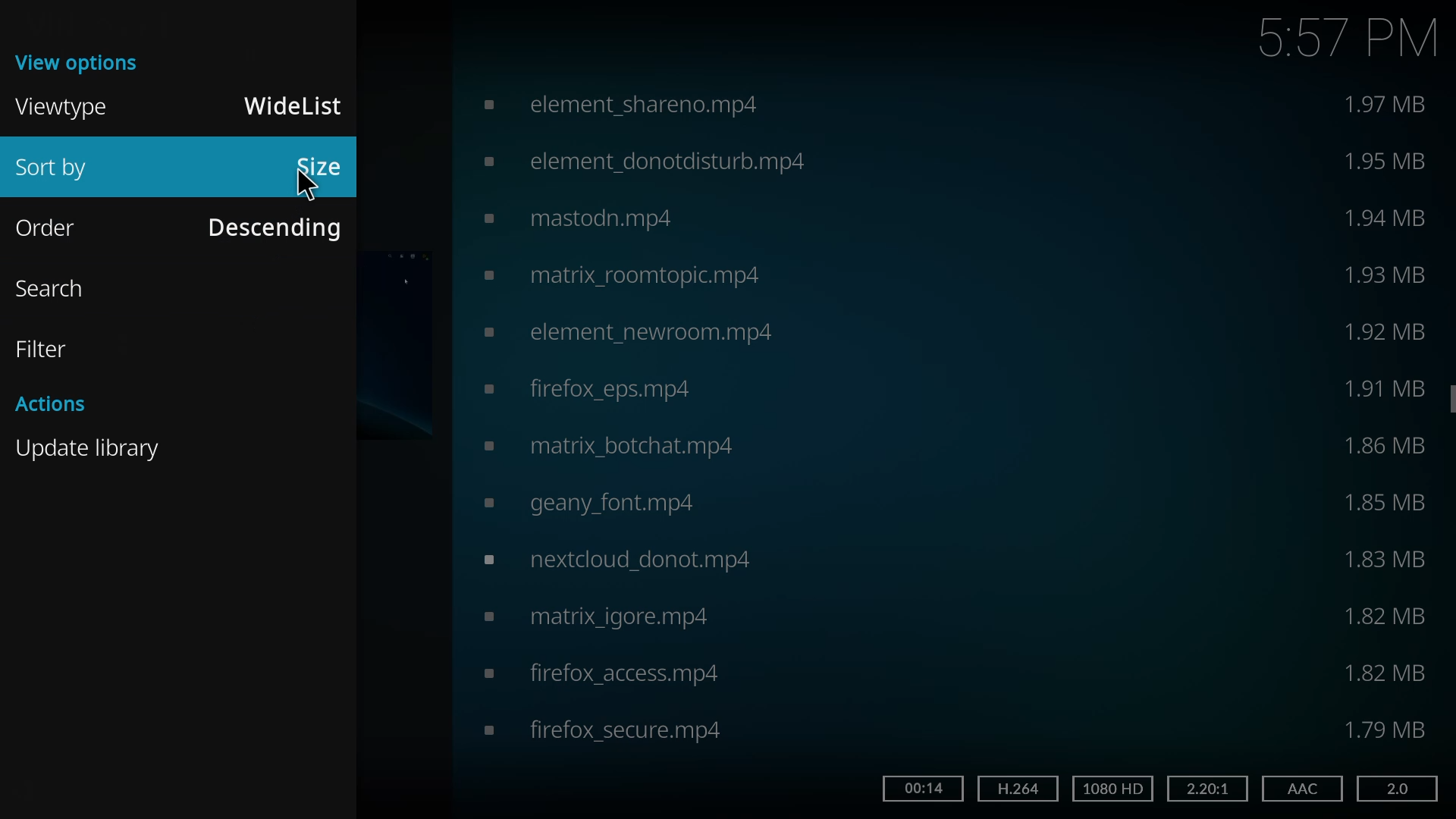 This screenshot has width=1456, height=819. What do you see at coordinates (628, 276) in the screenshot?
I see `video` at bounding box center [628, 276].